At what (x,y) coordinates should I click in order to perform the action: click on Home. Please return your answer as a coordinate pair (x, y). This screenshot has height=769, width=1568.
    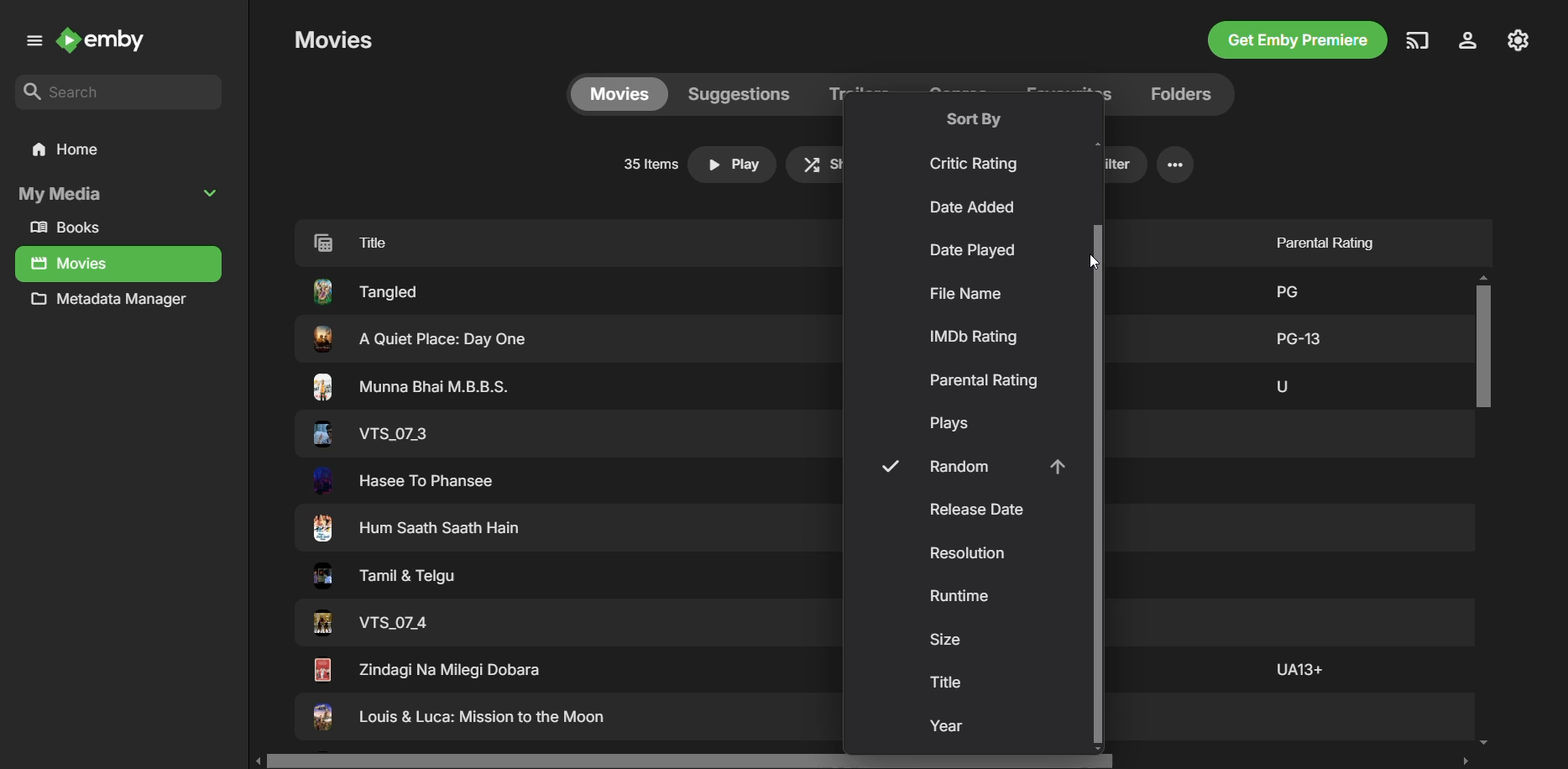
    Looking at the image, I should click on (117, 150).